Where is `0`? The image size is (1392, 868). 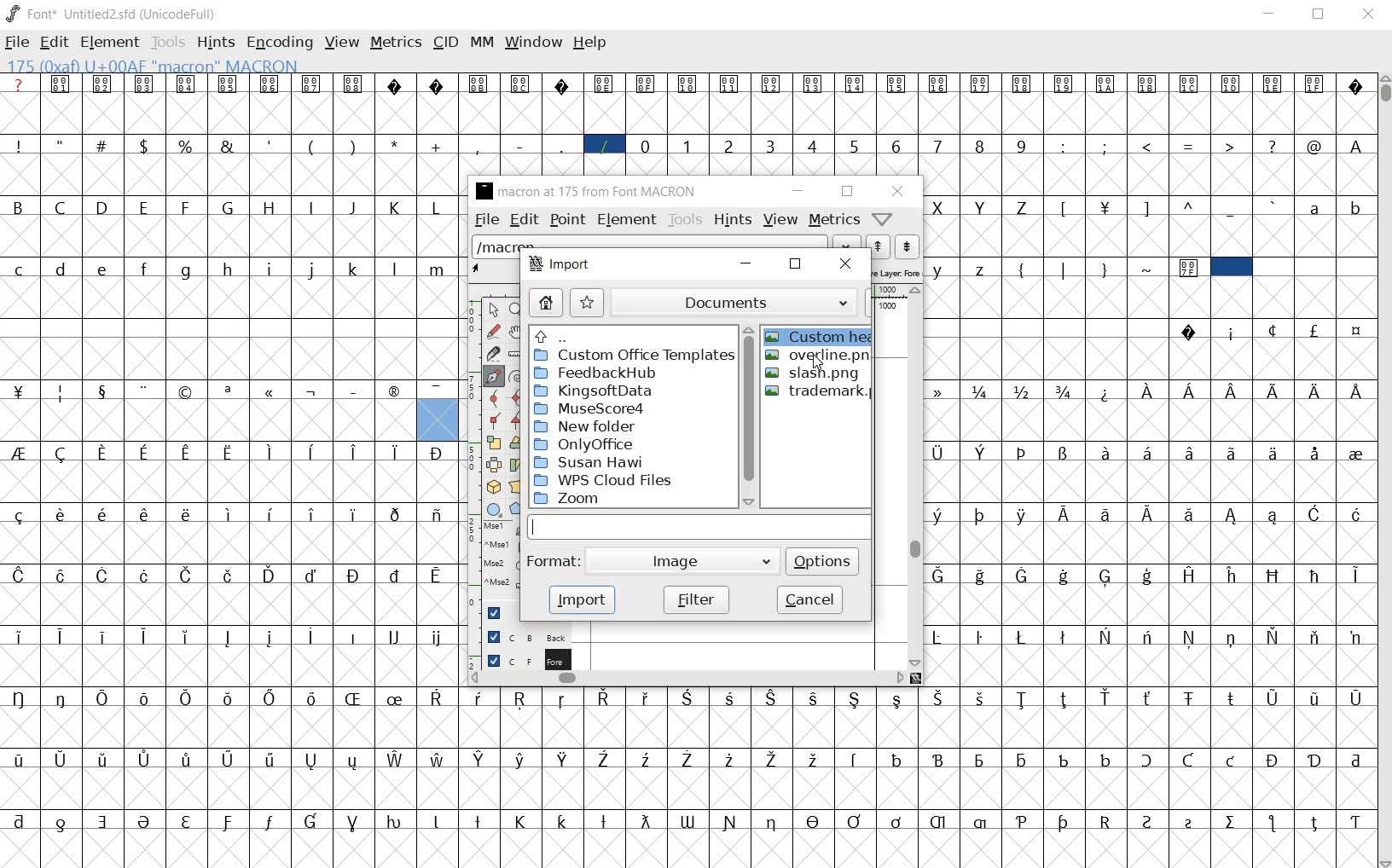 0 is located at coordinates (647, 144).